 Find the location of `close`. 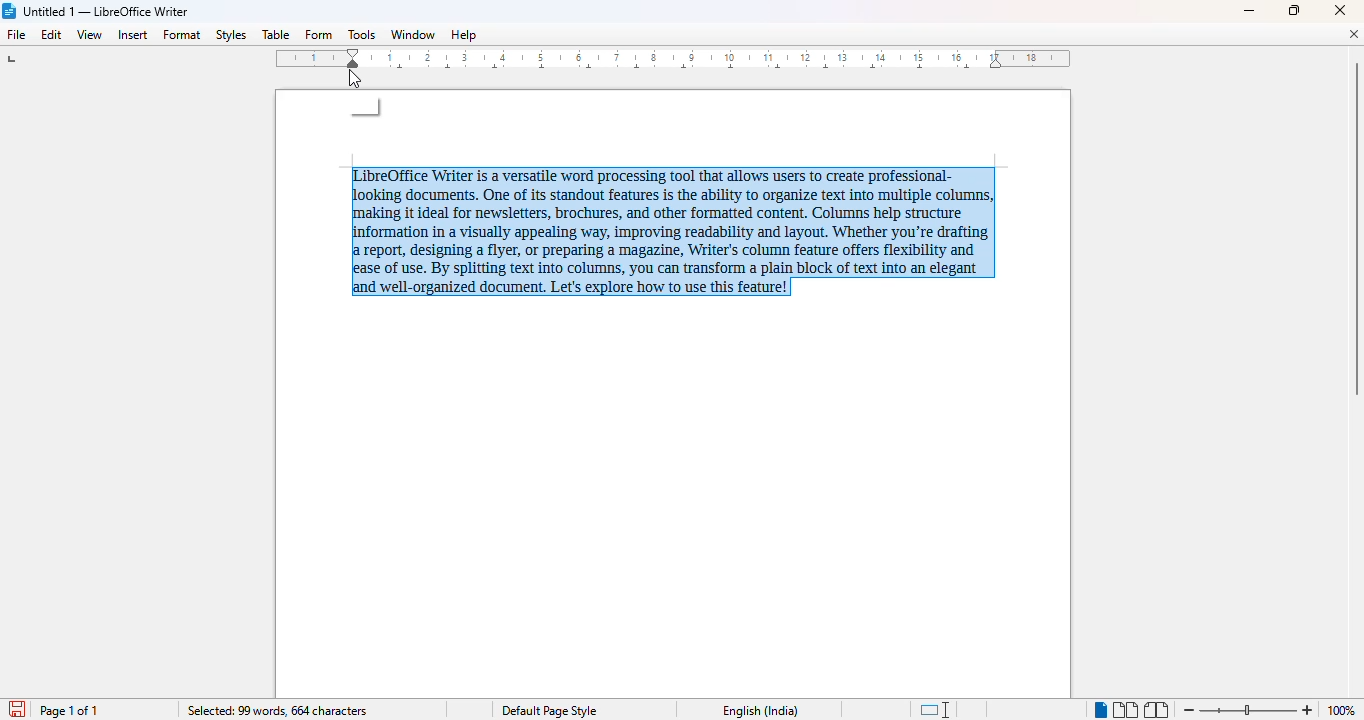

close is located at coordinates (1339, 10).